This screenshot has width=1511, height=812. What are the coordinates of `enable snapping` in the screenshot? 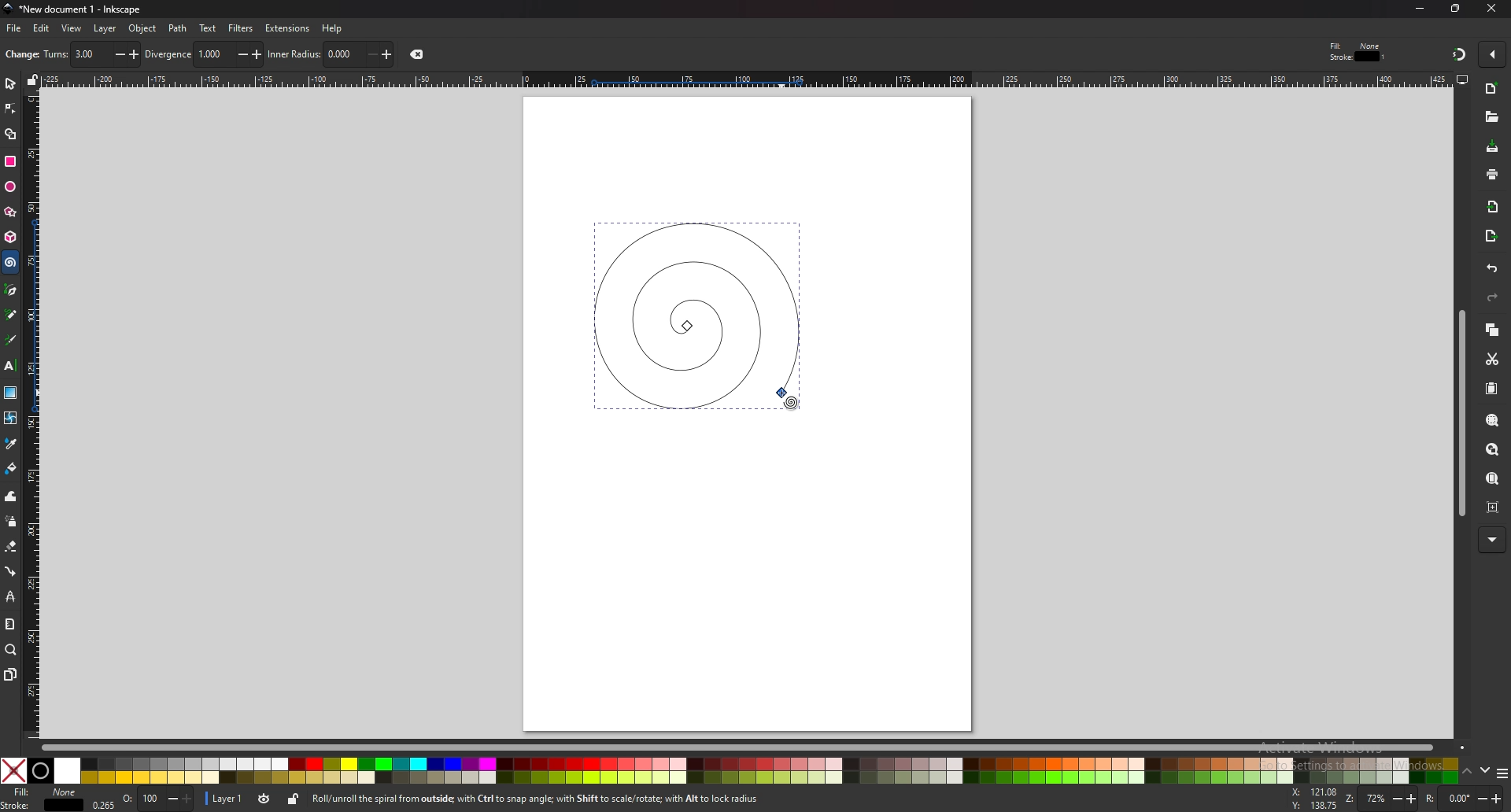 It's located at (1491, 53).